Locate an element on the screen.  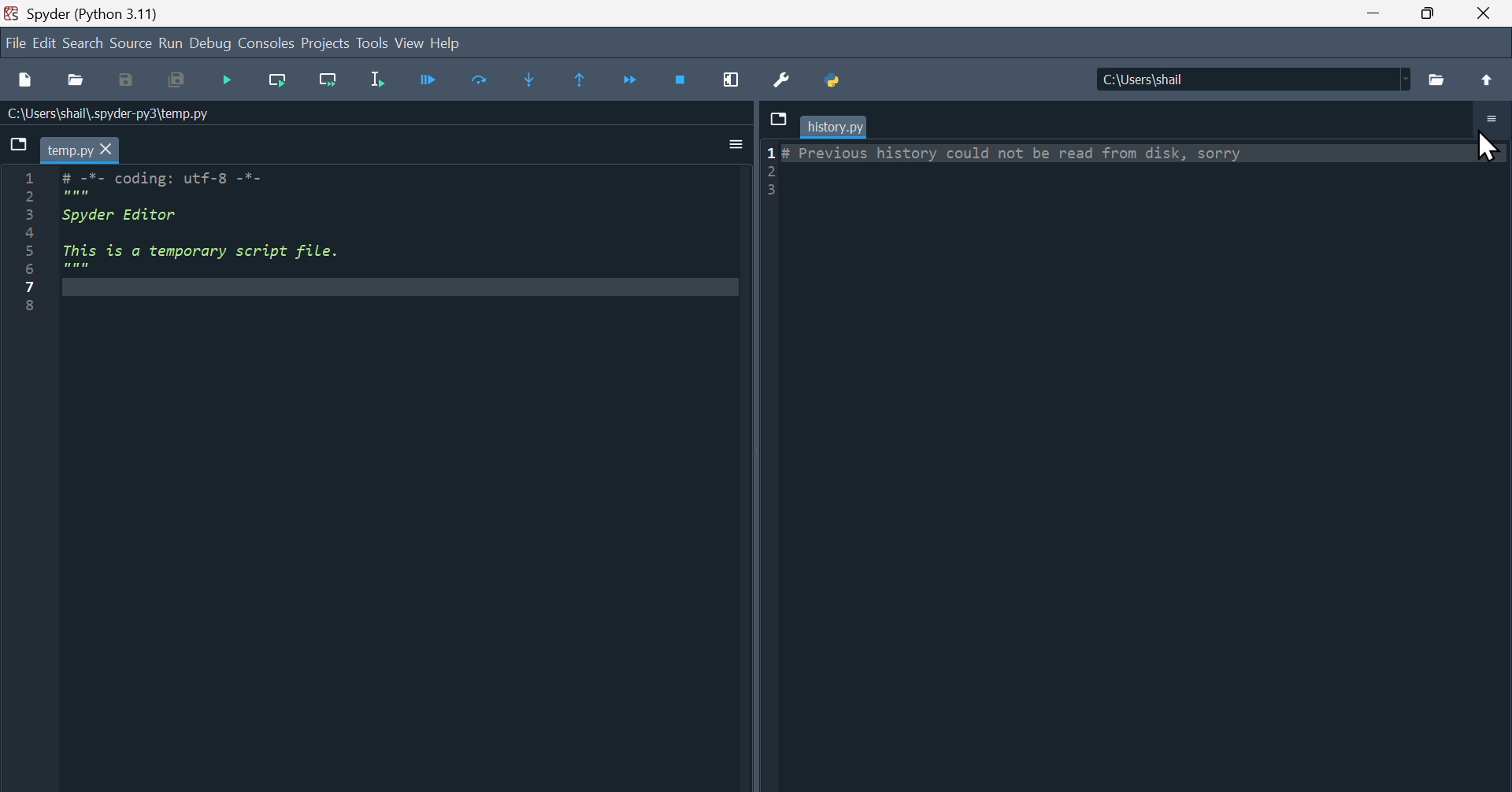
Uparrow is located at coordinates (1487, 79).